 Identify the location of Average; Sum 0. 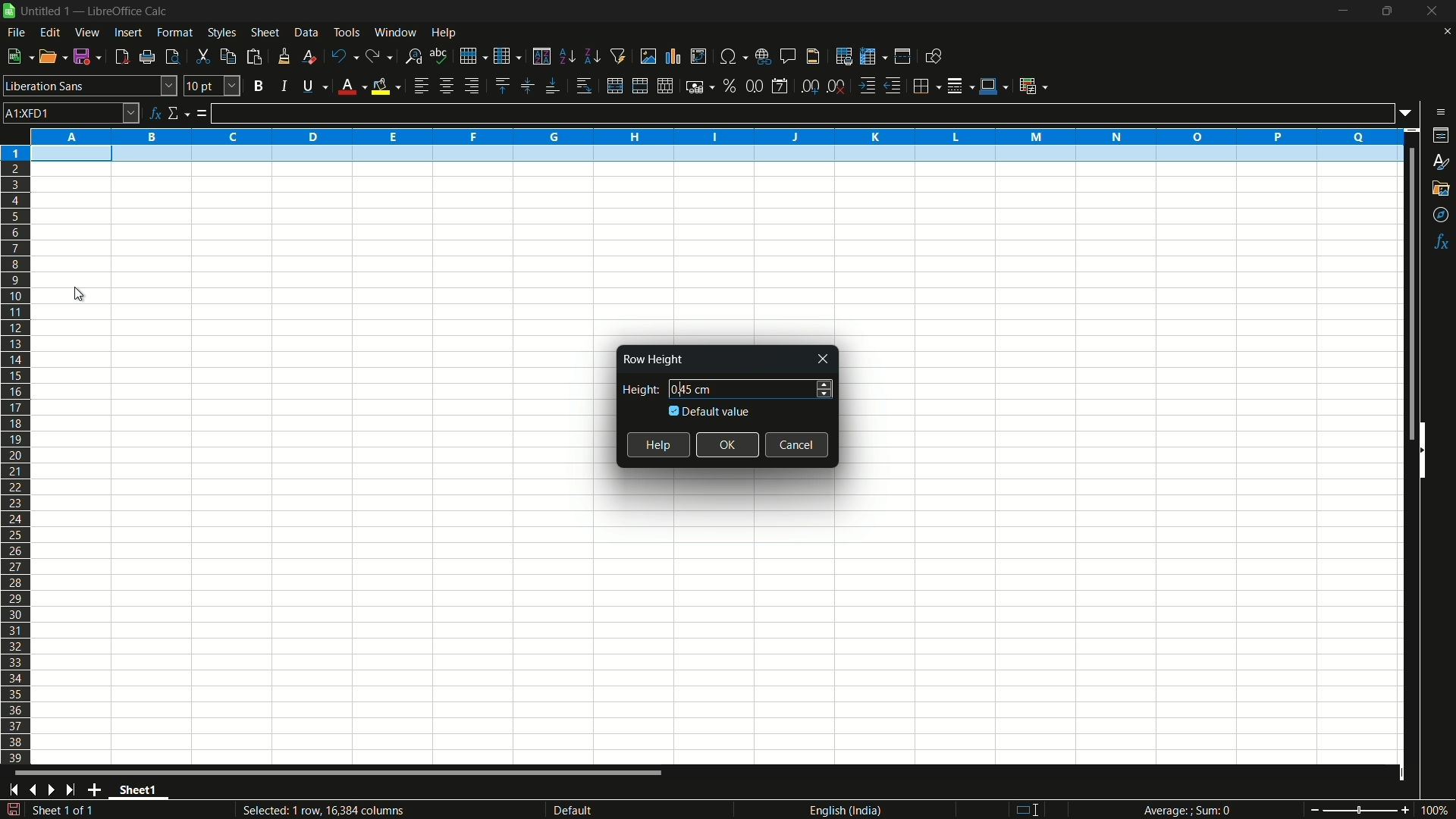
(1188, 811).